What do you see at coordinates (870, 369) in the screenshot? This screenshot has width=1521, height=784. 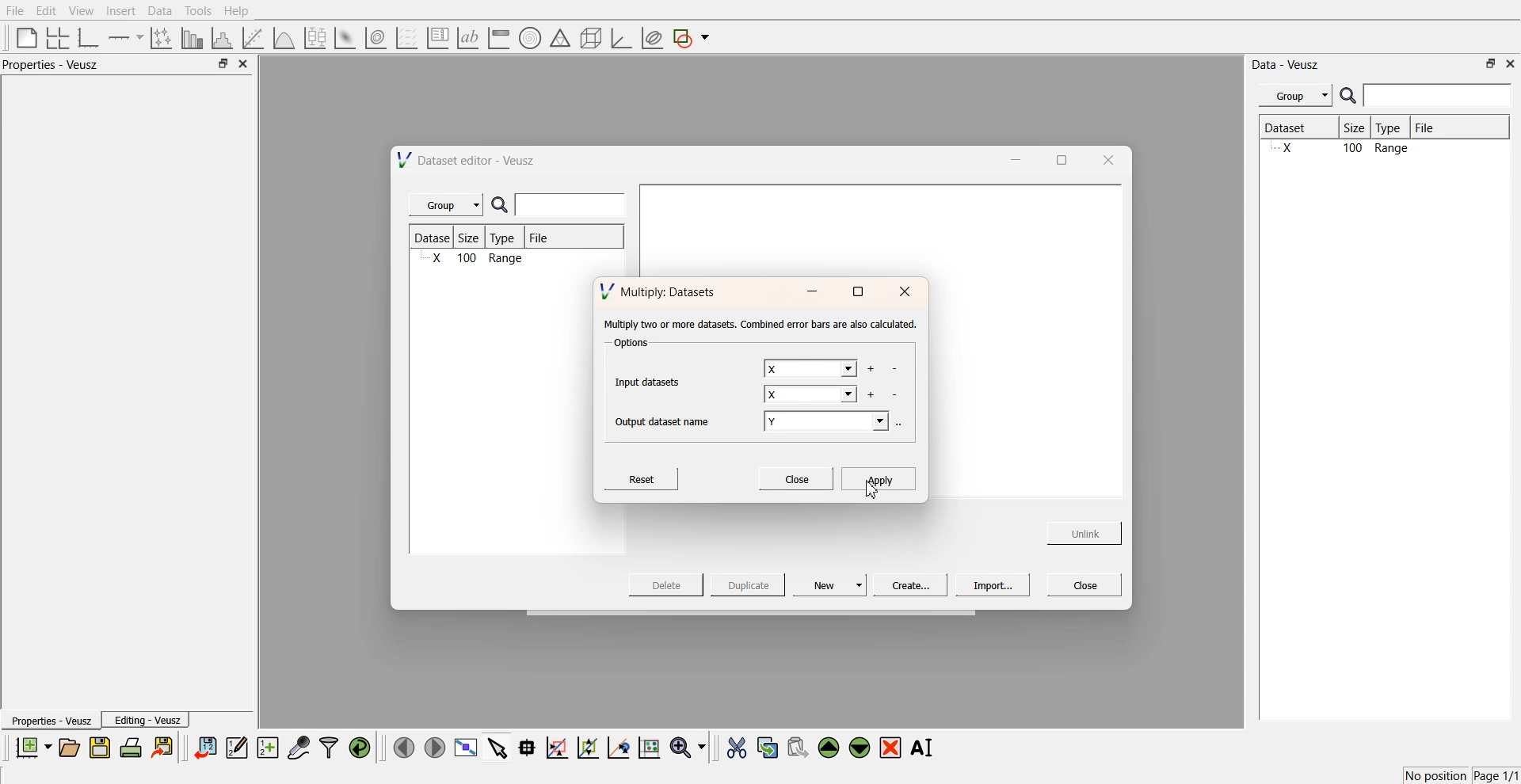 I see `add more` at bounding box center [870, 369].